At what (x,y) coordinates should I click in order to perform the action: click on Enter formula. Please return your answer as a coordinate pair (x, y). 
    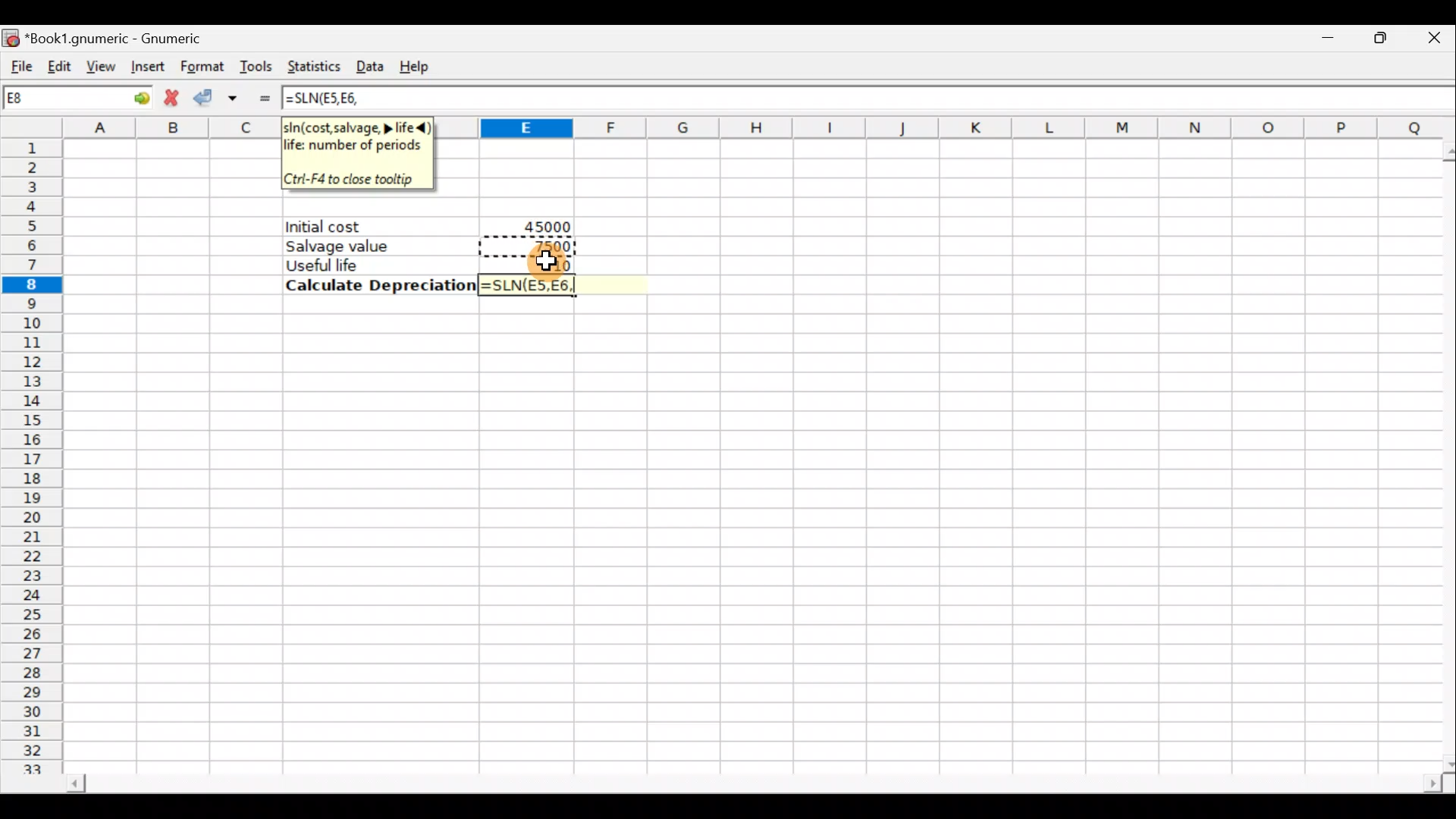
    Looking at the image, I should click on (264, 97).